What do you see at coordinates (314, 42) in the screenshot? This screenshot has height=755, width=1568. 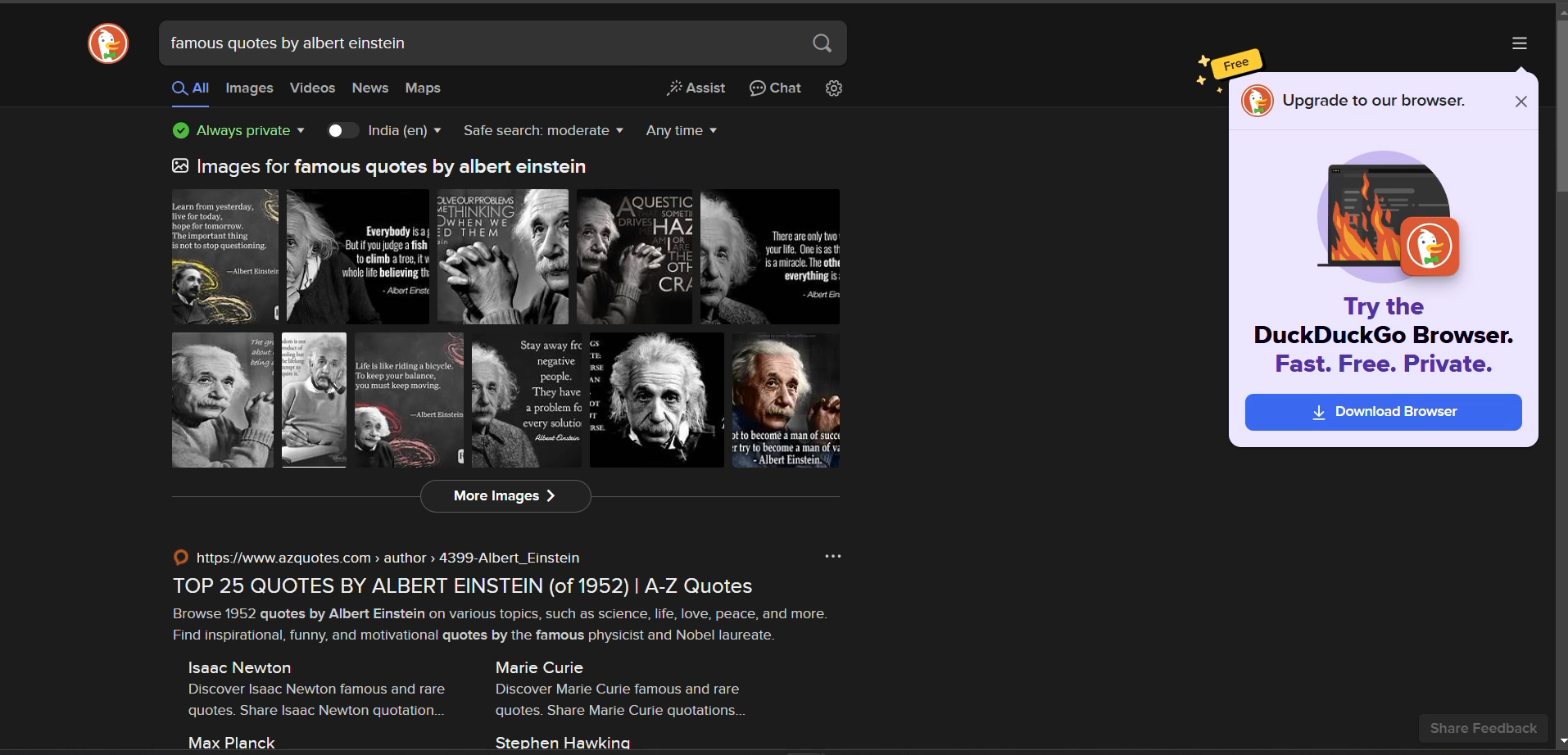 I see `famous quotes by albert einstein` at bounding box center [314, 42].